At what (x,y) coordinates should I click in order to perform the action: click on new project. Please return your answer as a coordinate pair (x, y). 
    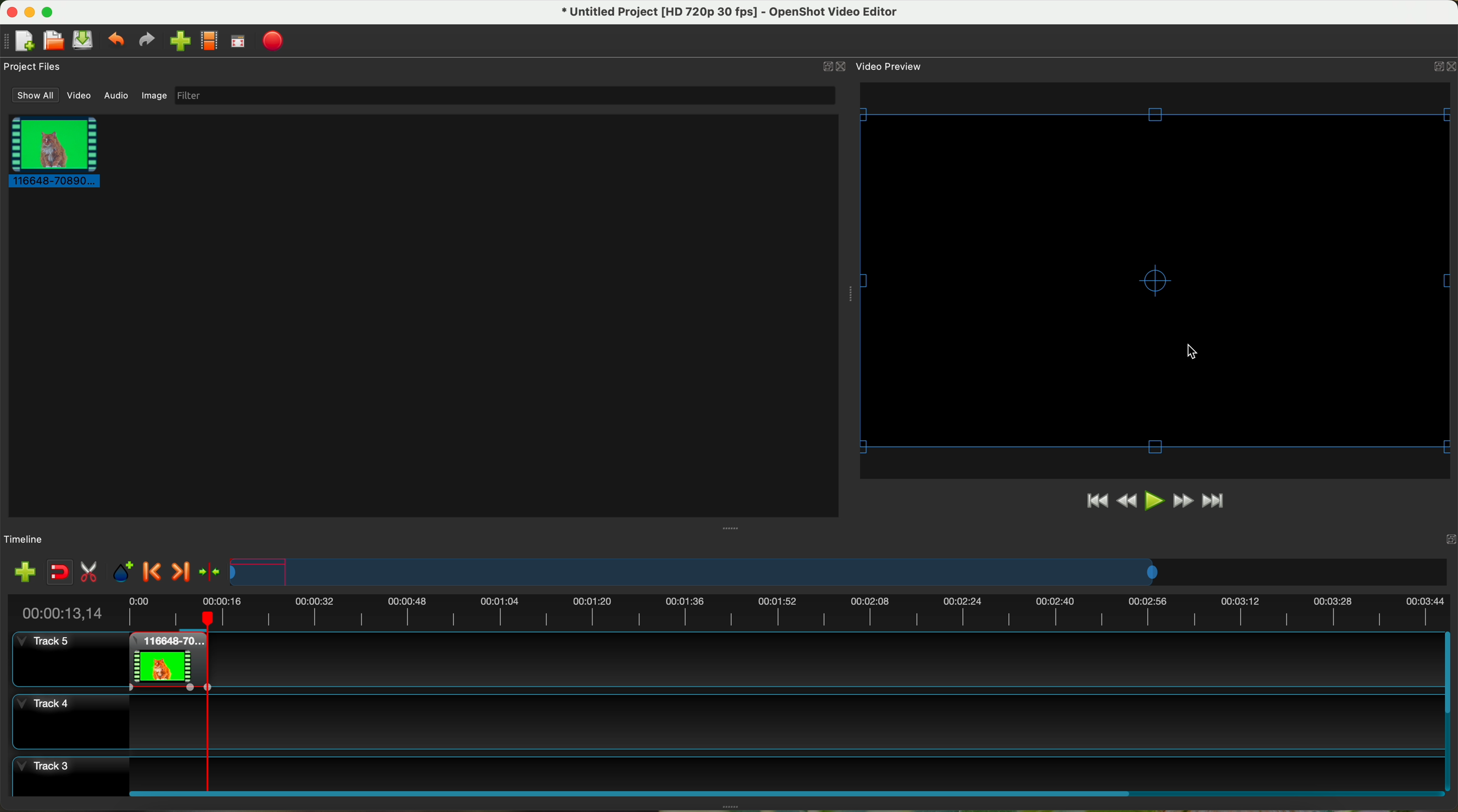
    Looking at the image, I should click on (19, 41).